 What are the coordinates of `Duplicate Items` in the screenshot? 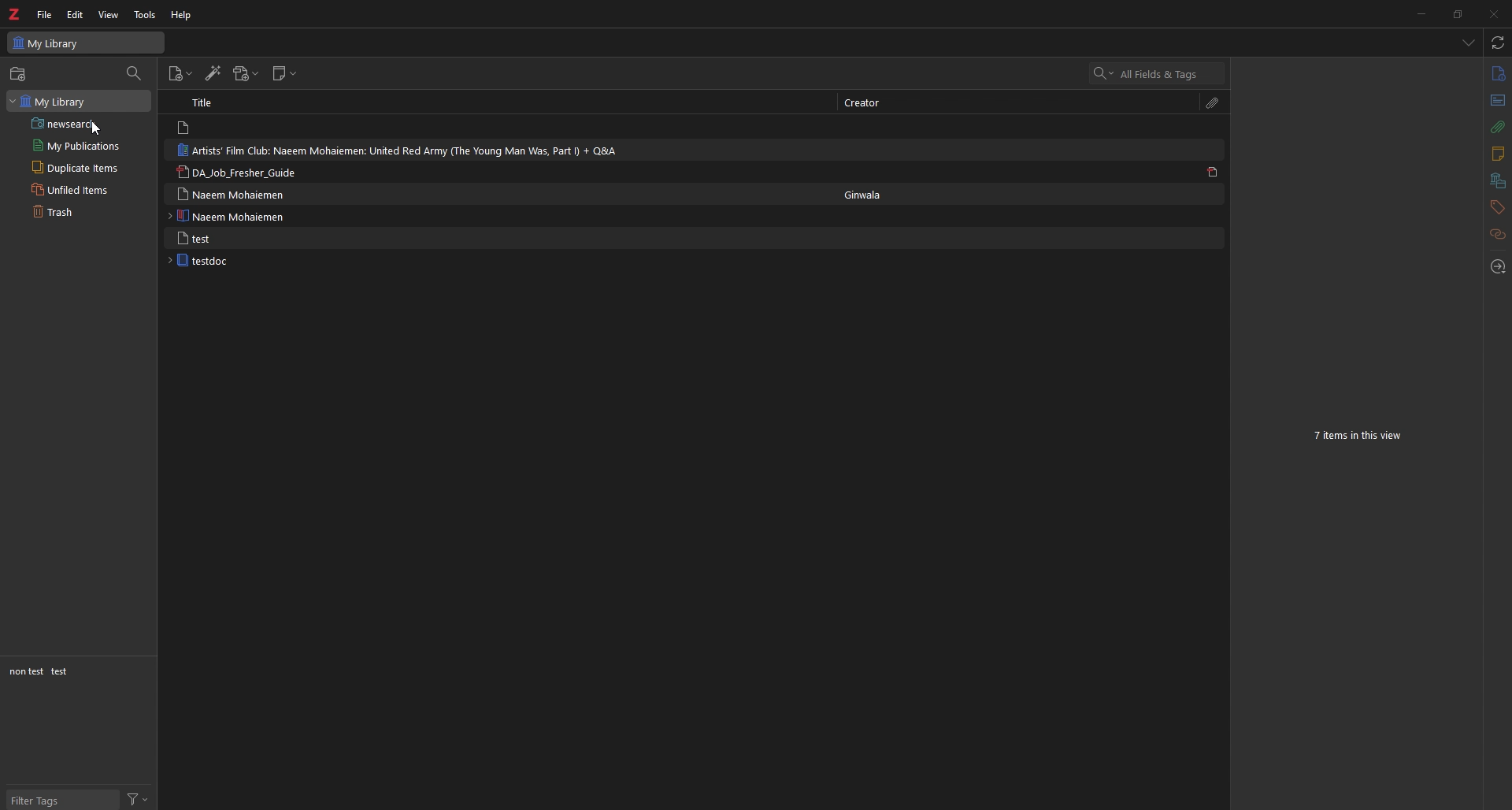 It's located at (76, 166).